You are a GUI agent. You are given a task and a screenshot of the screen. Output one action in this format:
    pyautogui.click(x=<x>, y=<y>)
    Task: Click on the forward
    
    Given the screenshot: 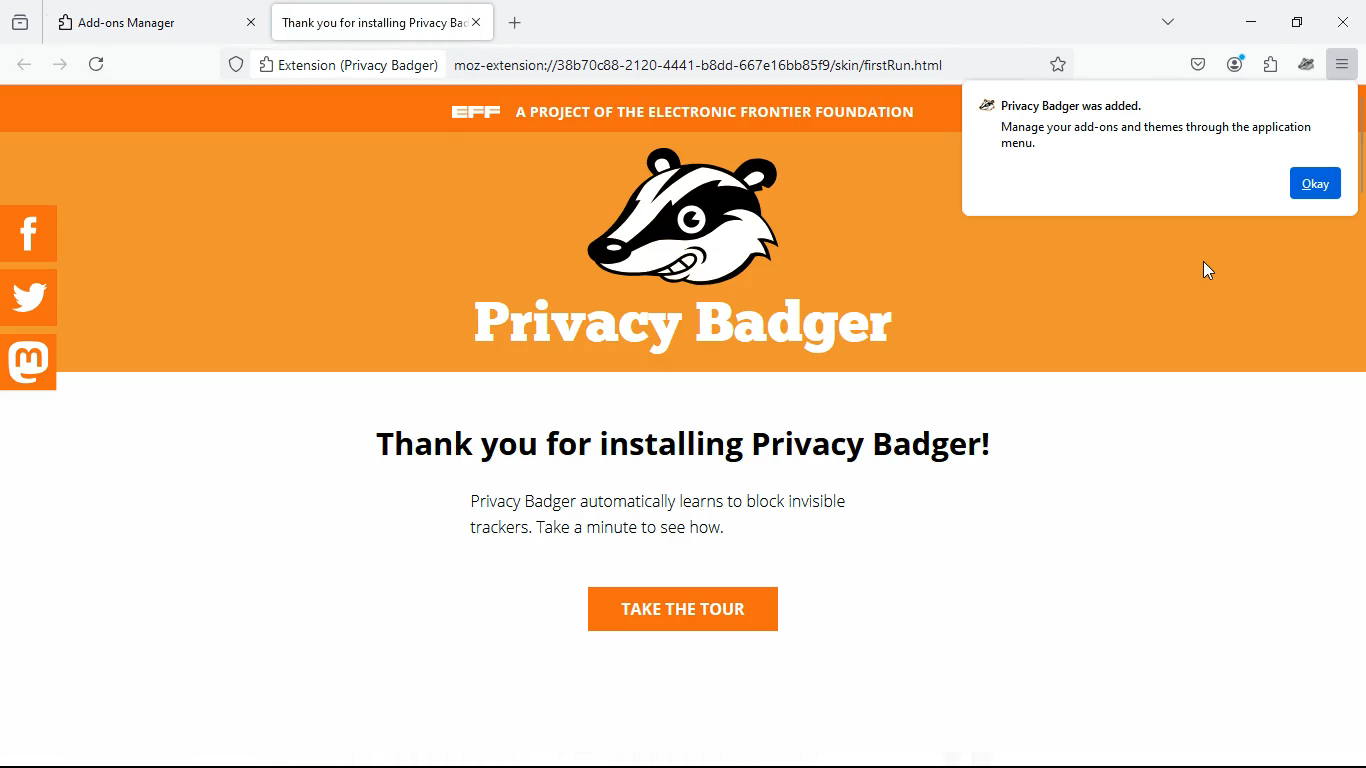 What is the action you would take?
    pyautogui.click(x=58, y=66)
    